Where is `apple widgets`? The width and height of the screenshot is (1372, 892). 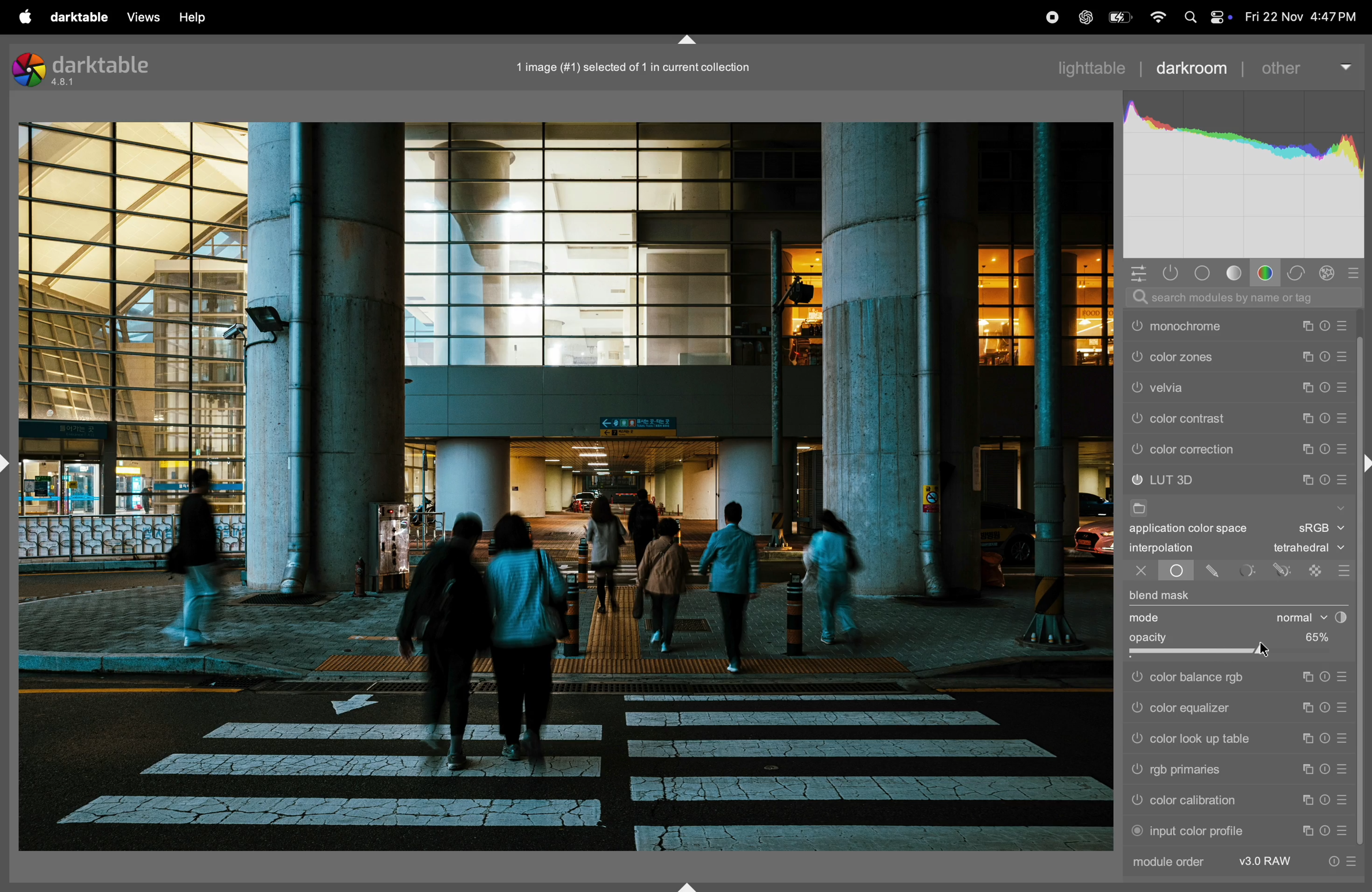 apple widgets is located at coordinates (1220, 14).